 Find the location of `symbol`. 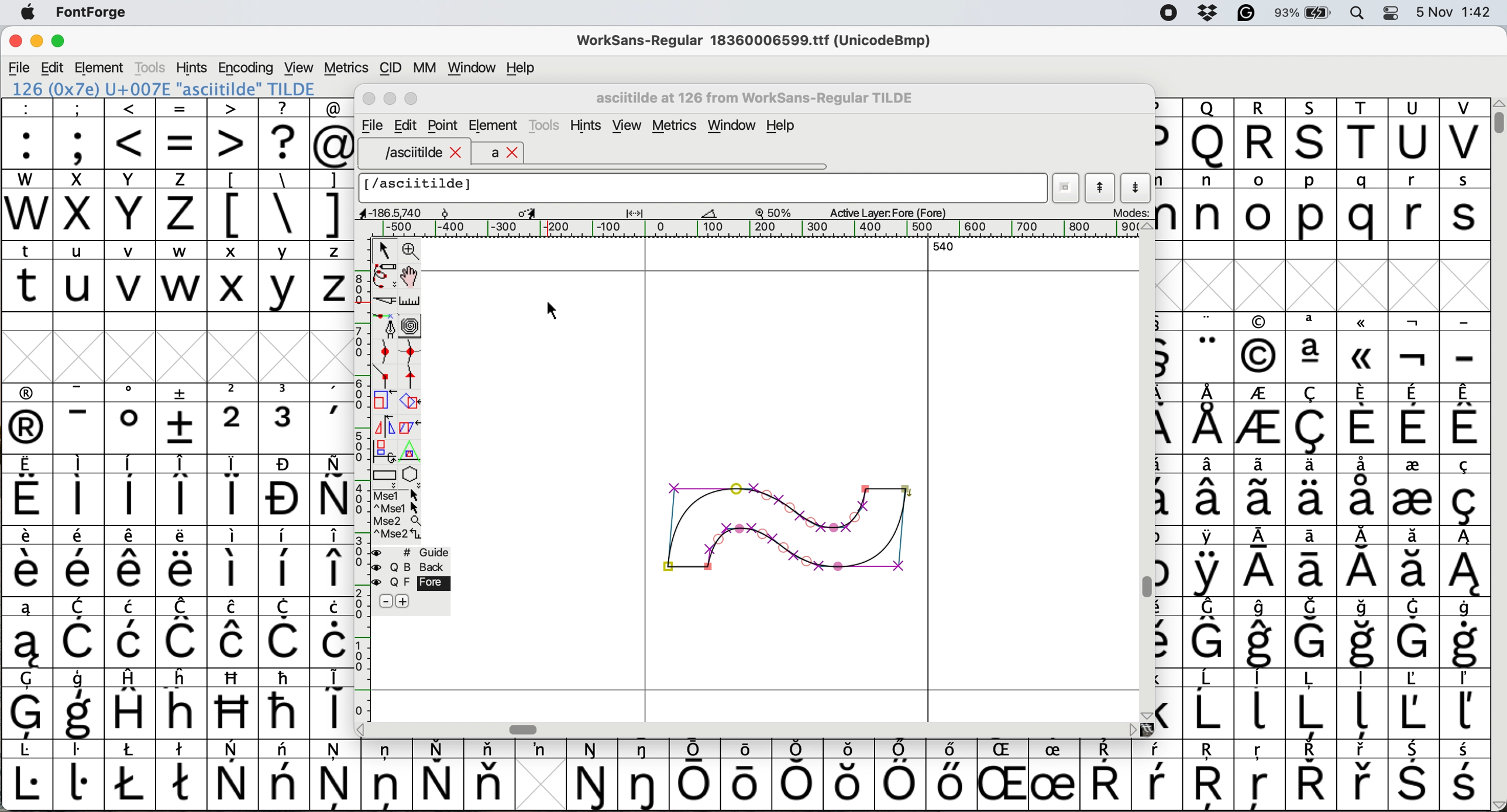

symbol is located at coordinates (27, 776).